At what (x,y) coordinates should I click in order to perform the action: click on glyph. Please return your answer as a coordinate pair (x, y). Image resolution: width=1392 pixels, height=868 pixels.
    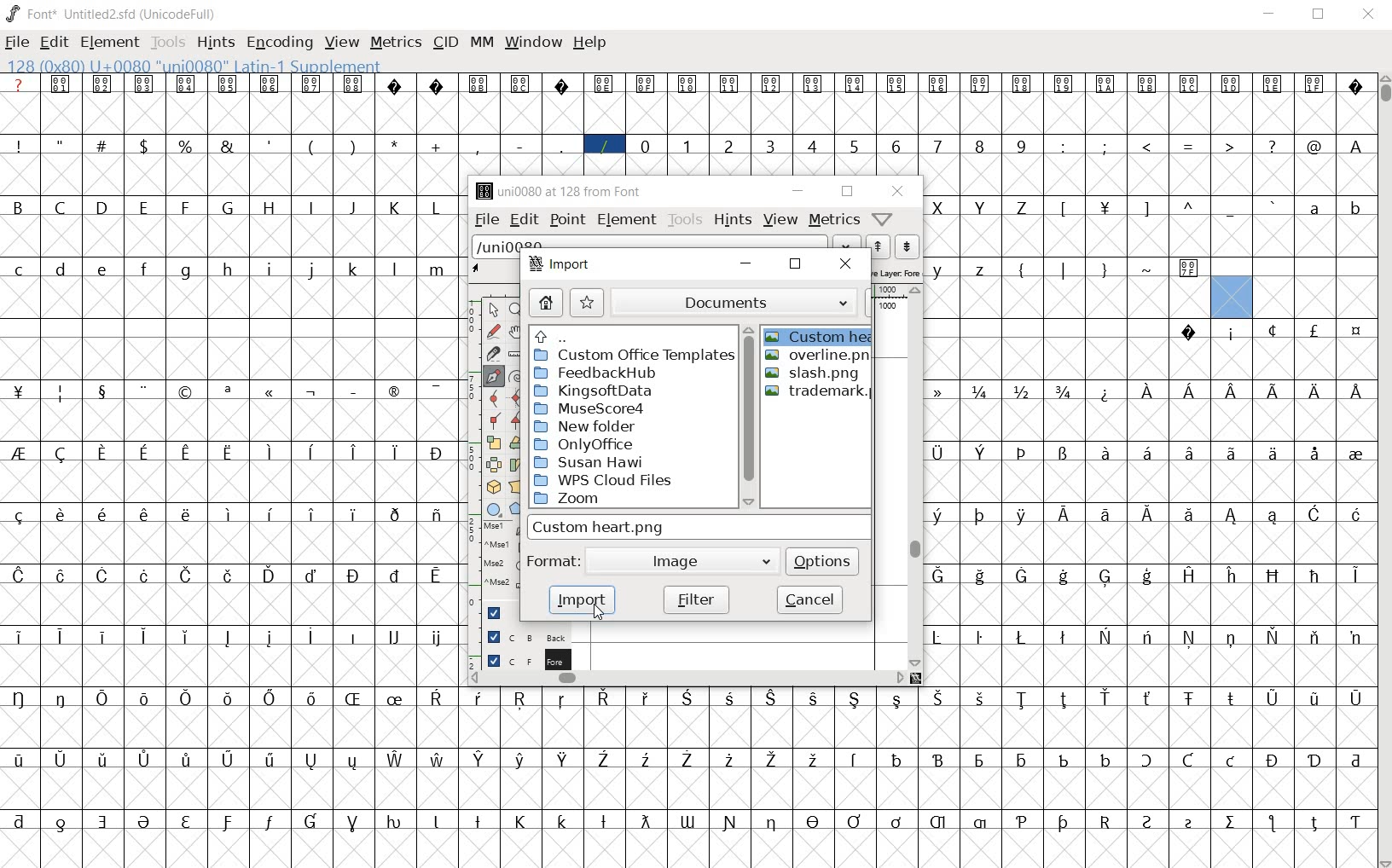
    Looking at the image, I should click on (980, 823).